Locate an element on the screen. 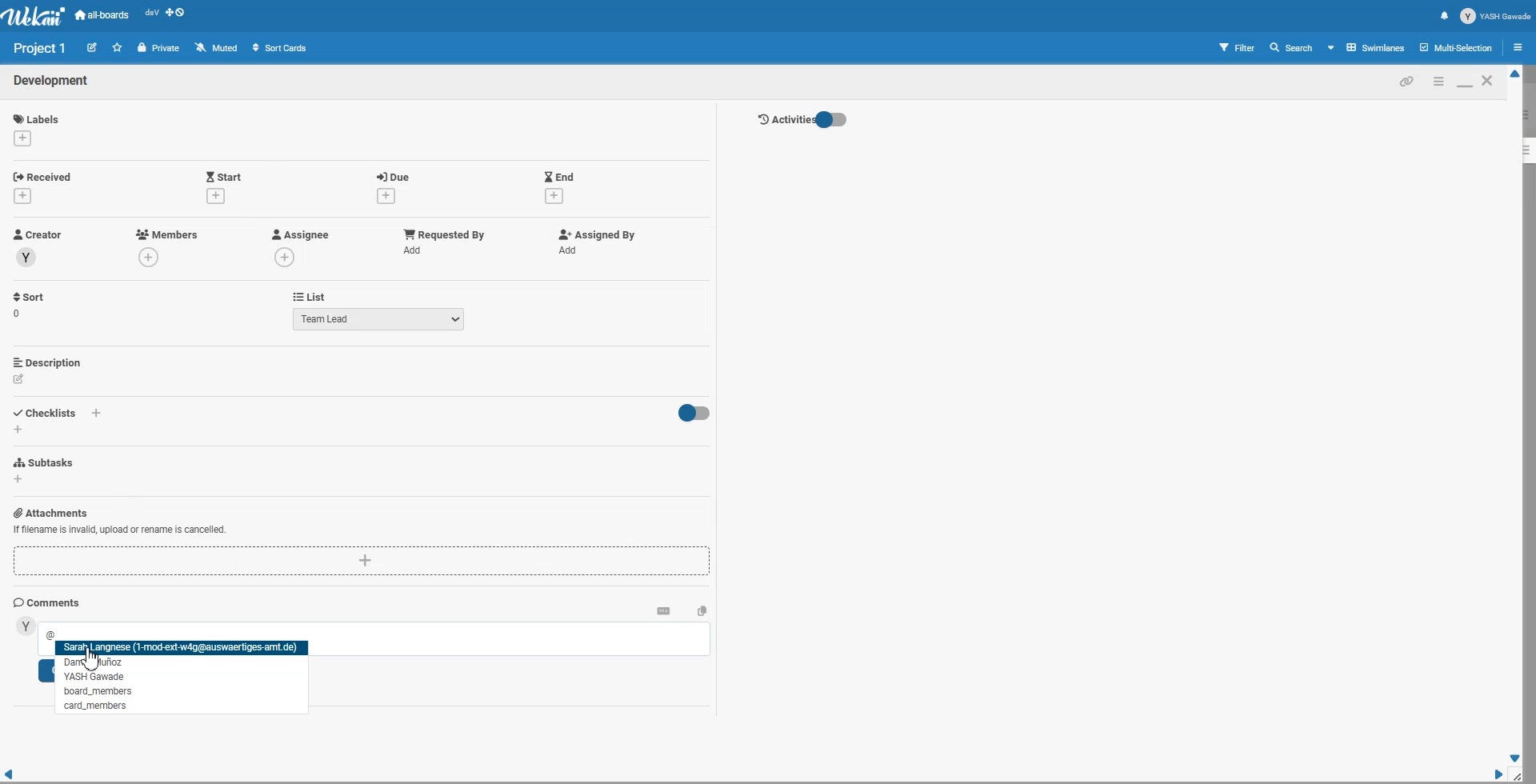 This screenshot has height=784, width=1536. Add Description is located at coordinates (49, 362).